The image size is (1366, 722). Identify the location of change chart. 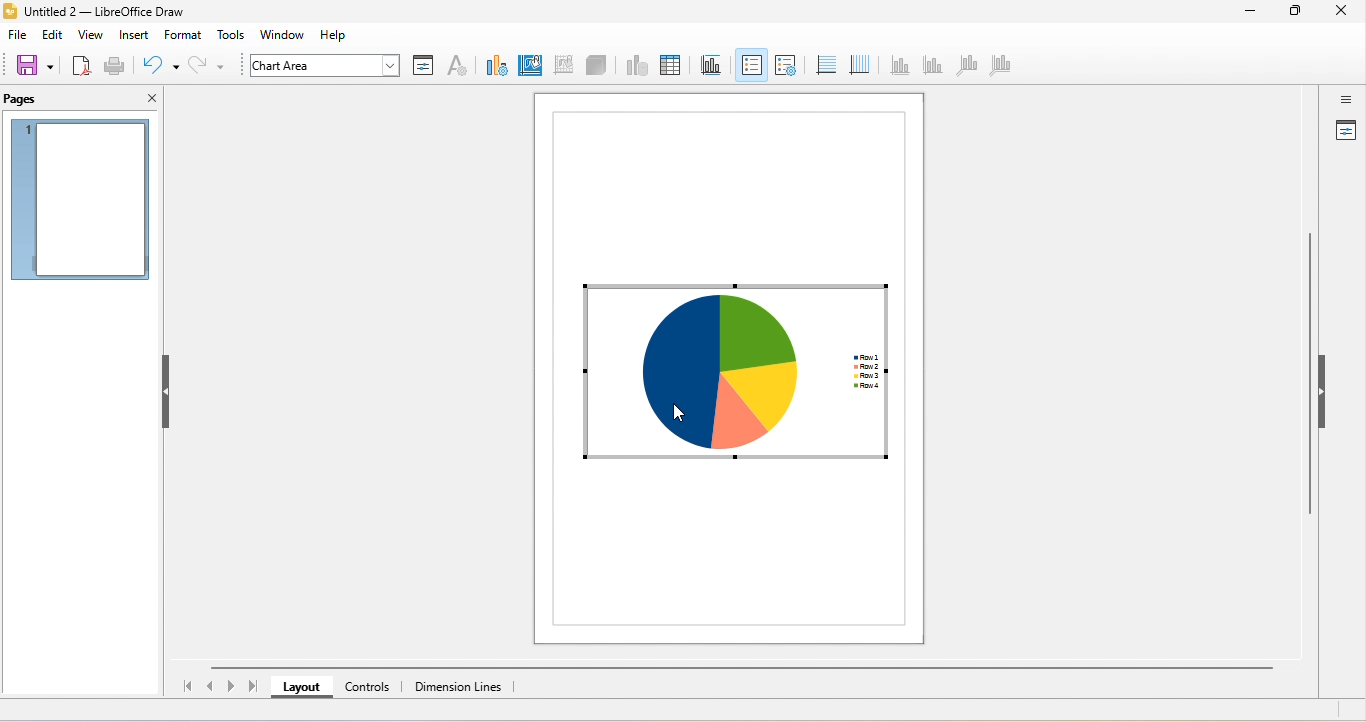
(493, 65).